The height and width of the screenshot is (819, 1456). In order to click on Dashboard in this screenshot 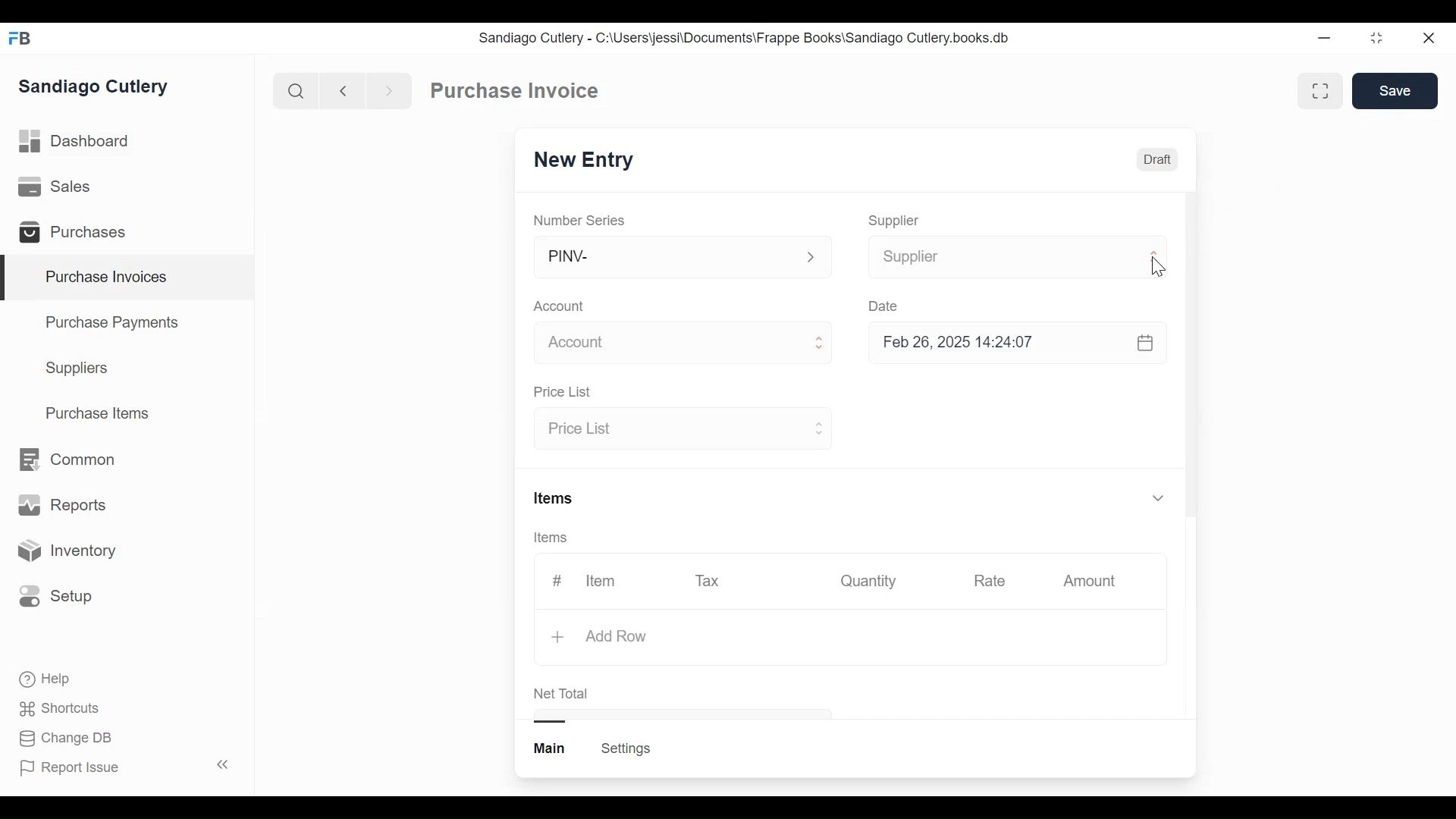, I will do `click(76, 142)`.